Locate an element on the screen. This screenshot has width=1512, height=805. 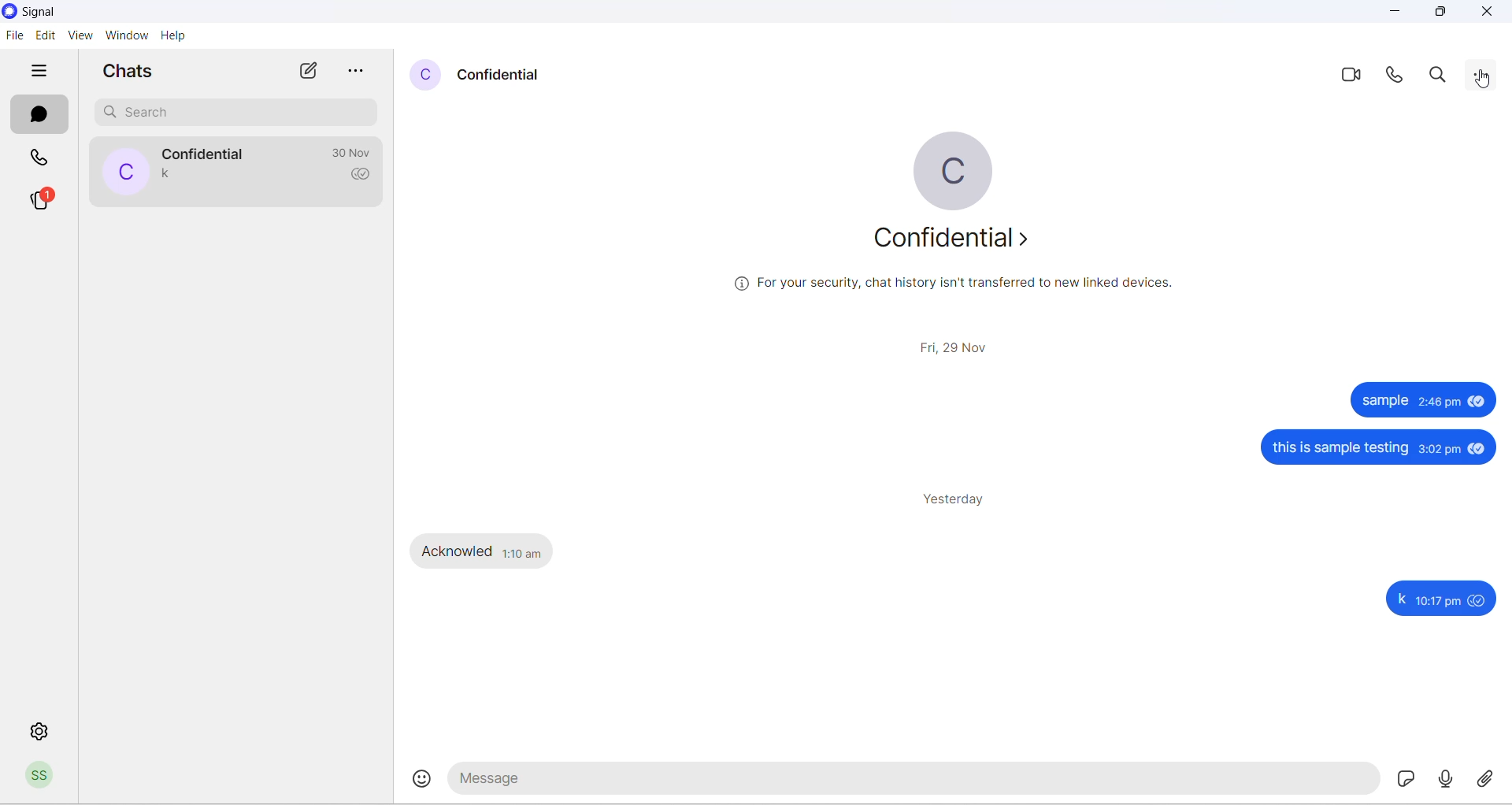
seen is located at coordinates (1479, 399).